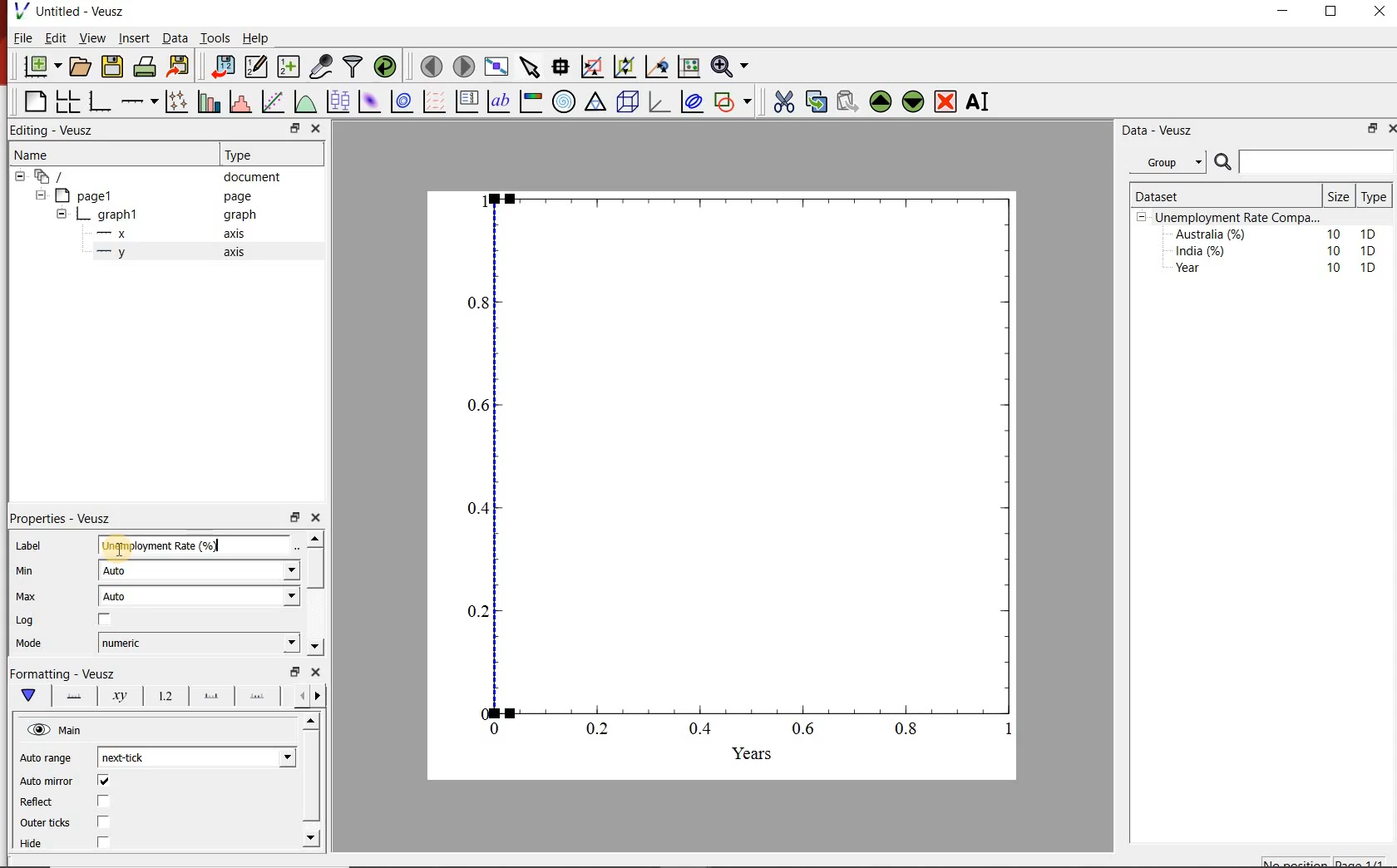  What do you see at coordinates (61, 216) in the screenshot?
I see `collapse` at bounding box center [61, 216].